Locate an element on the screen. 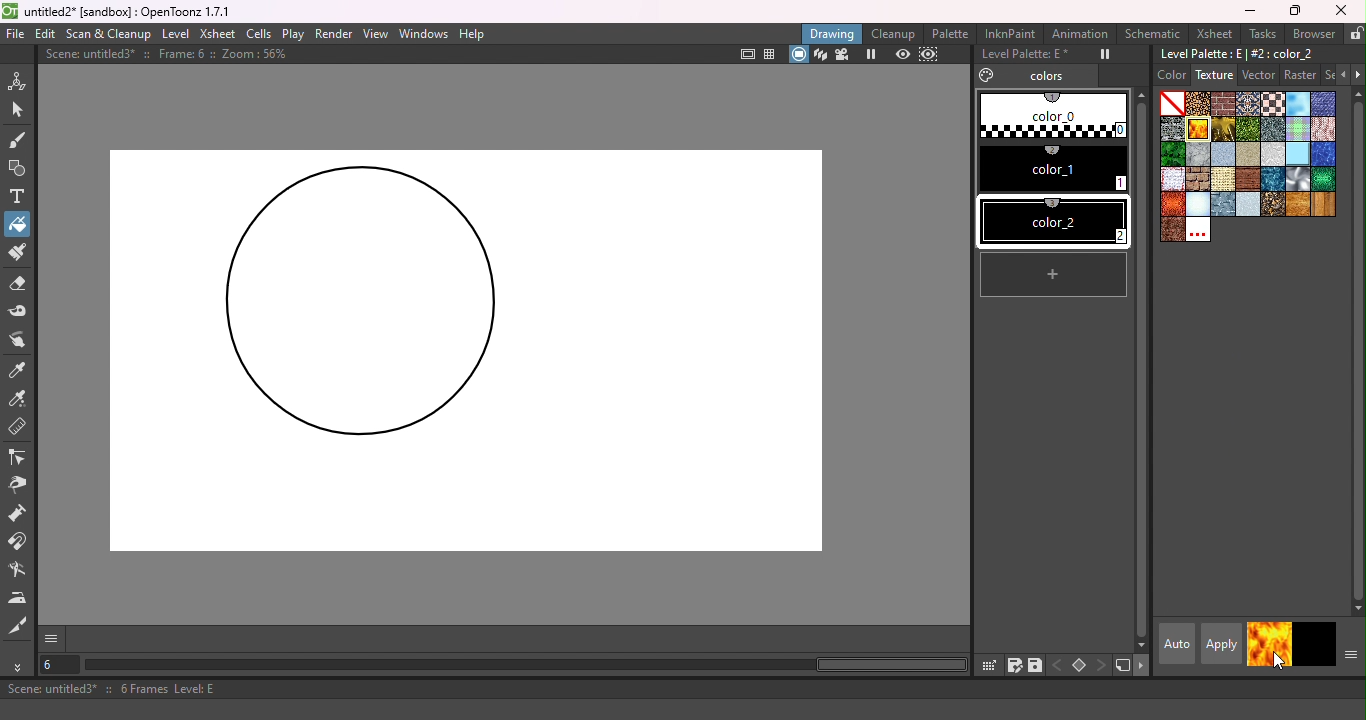  pool.bmp is located at coordinates (1323, 154).